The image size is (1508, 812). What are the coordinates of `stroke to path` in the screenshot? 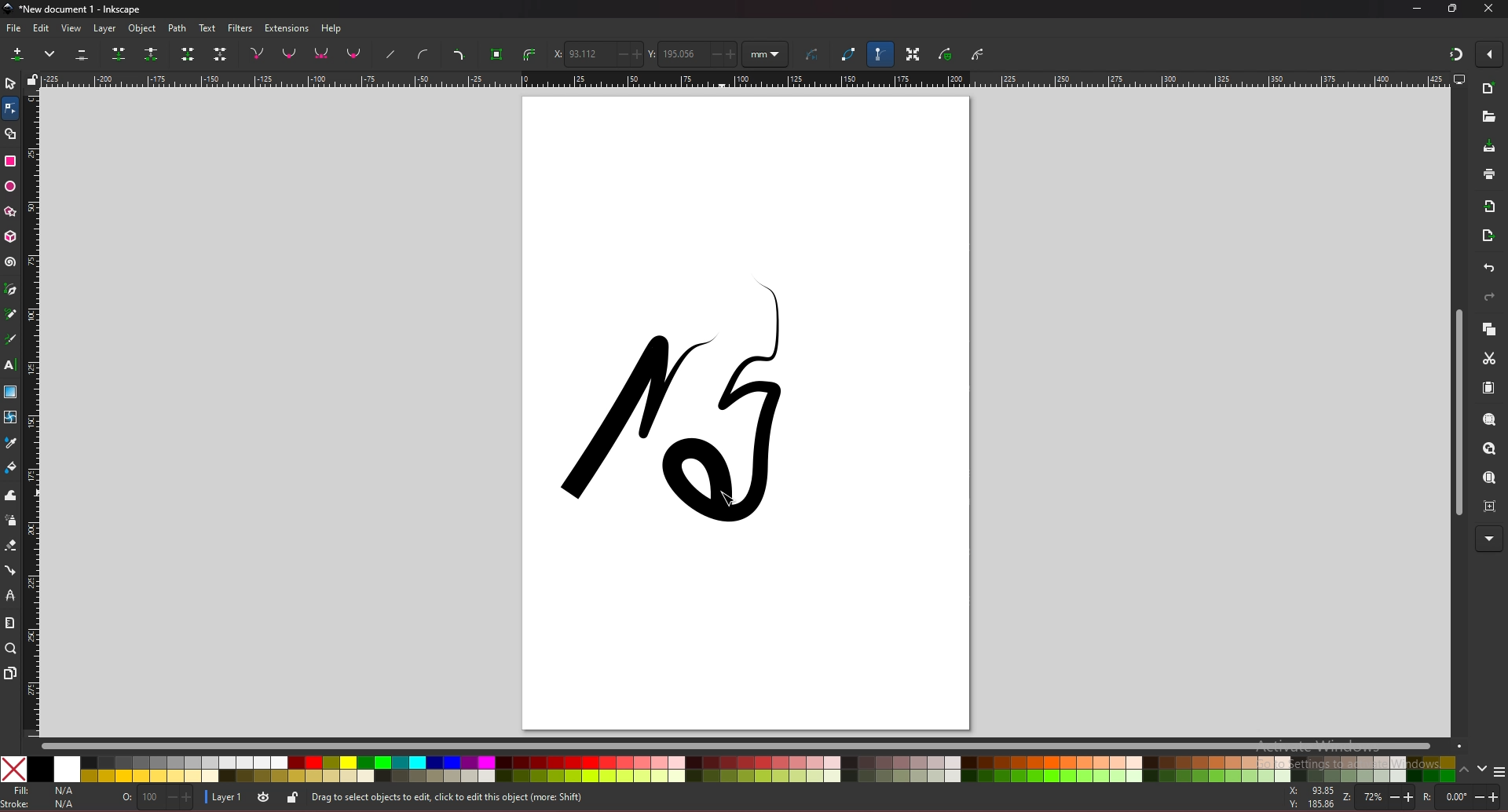 It's located at (529, 54).